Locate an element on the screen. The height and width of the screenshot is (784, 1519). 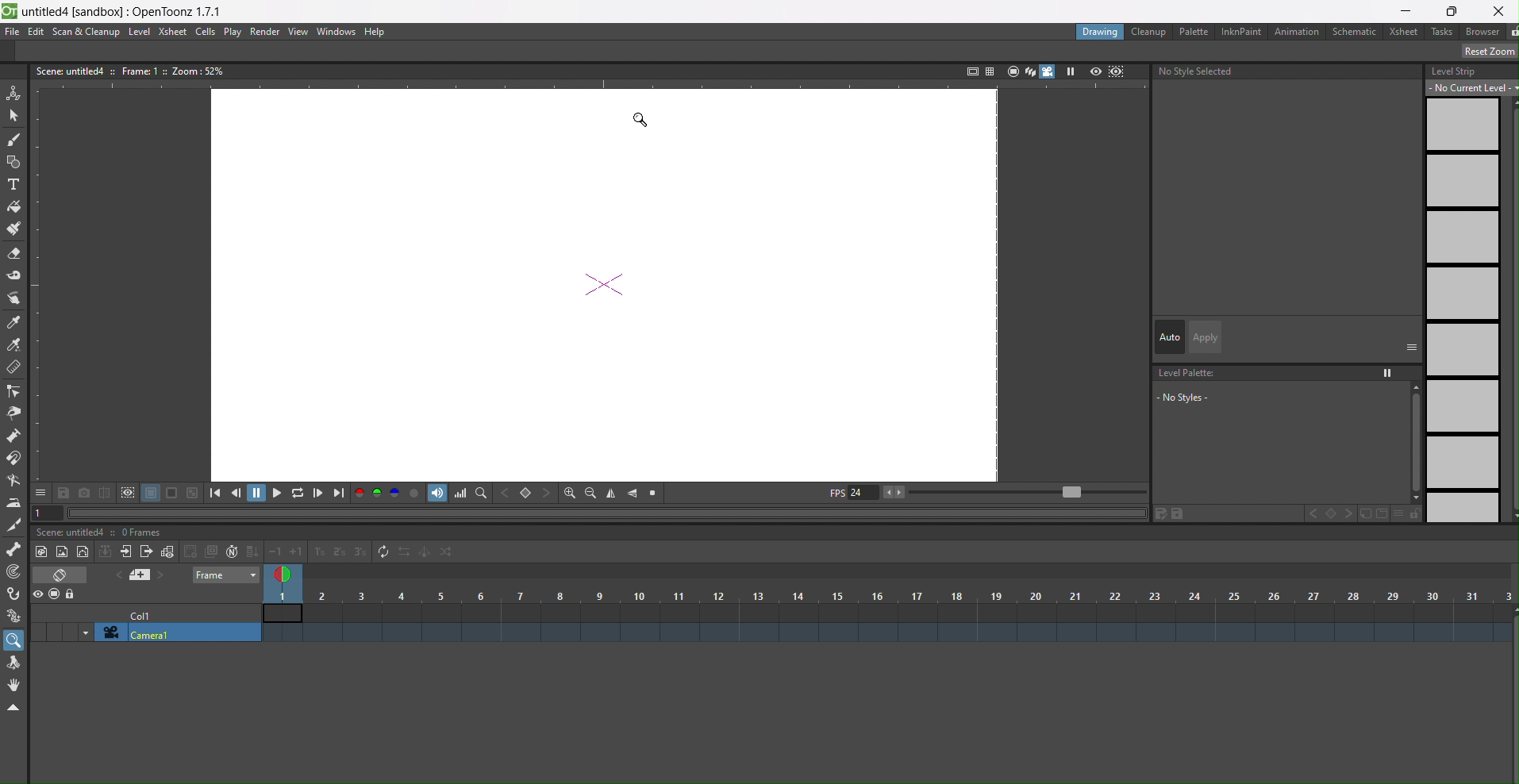
frame selector is located at coordinates (285, 575).